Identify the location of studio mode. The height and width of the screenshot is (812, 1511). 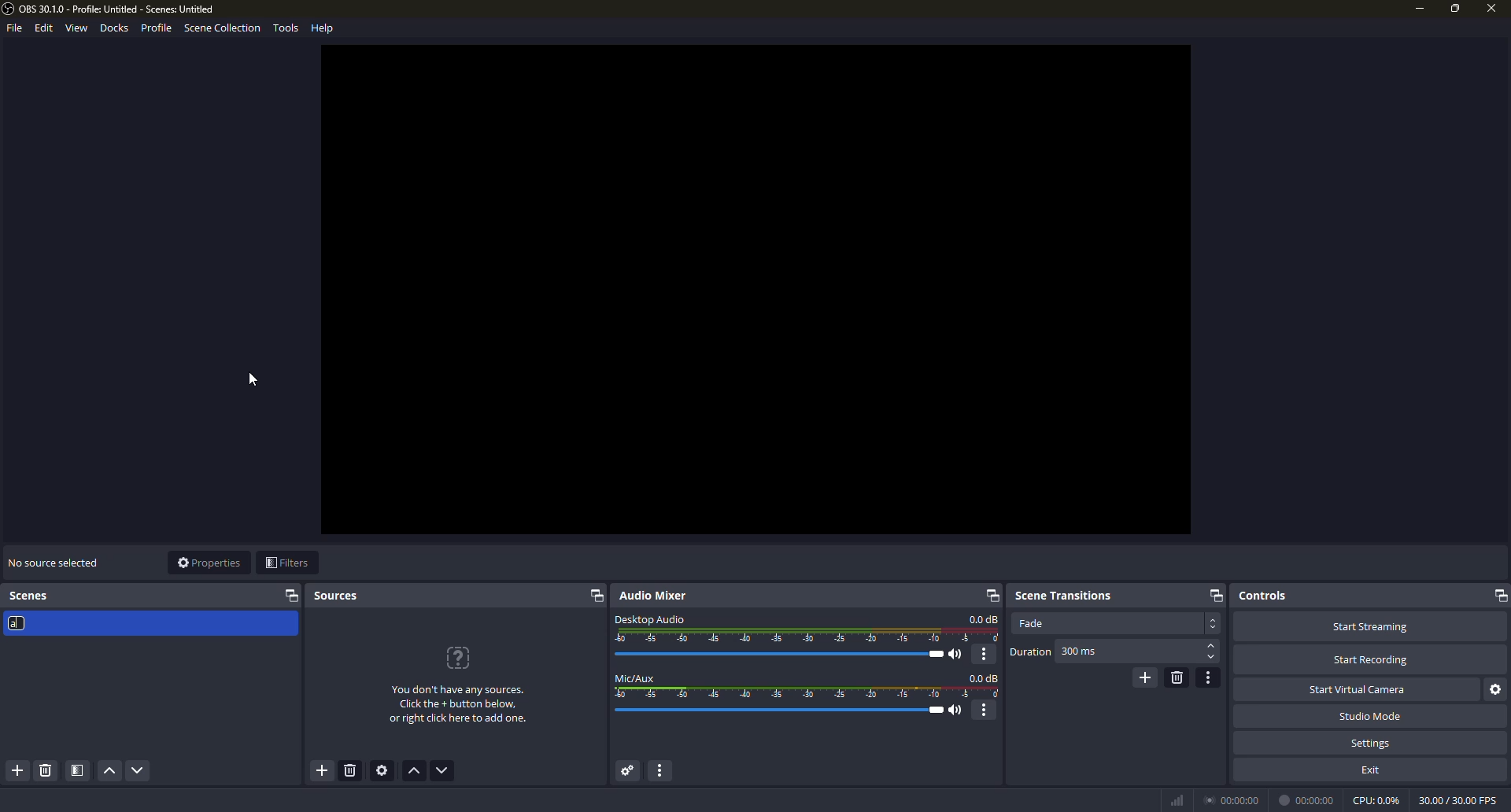
(1369, 716).